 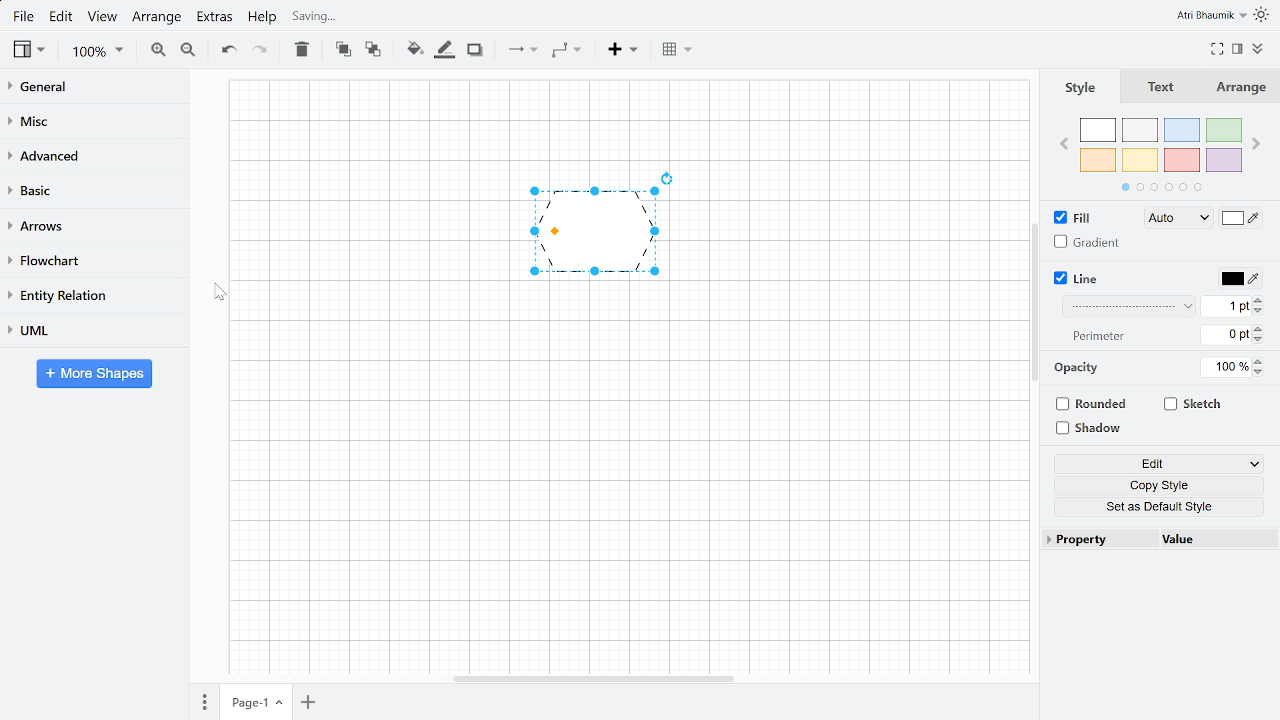 What do you see at coordinates (1091, 405) in the screenshot?
I see `Rounded` at bounding box center [1091, 405].